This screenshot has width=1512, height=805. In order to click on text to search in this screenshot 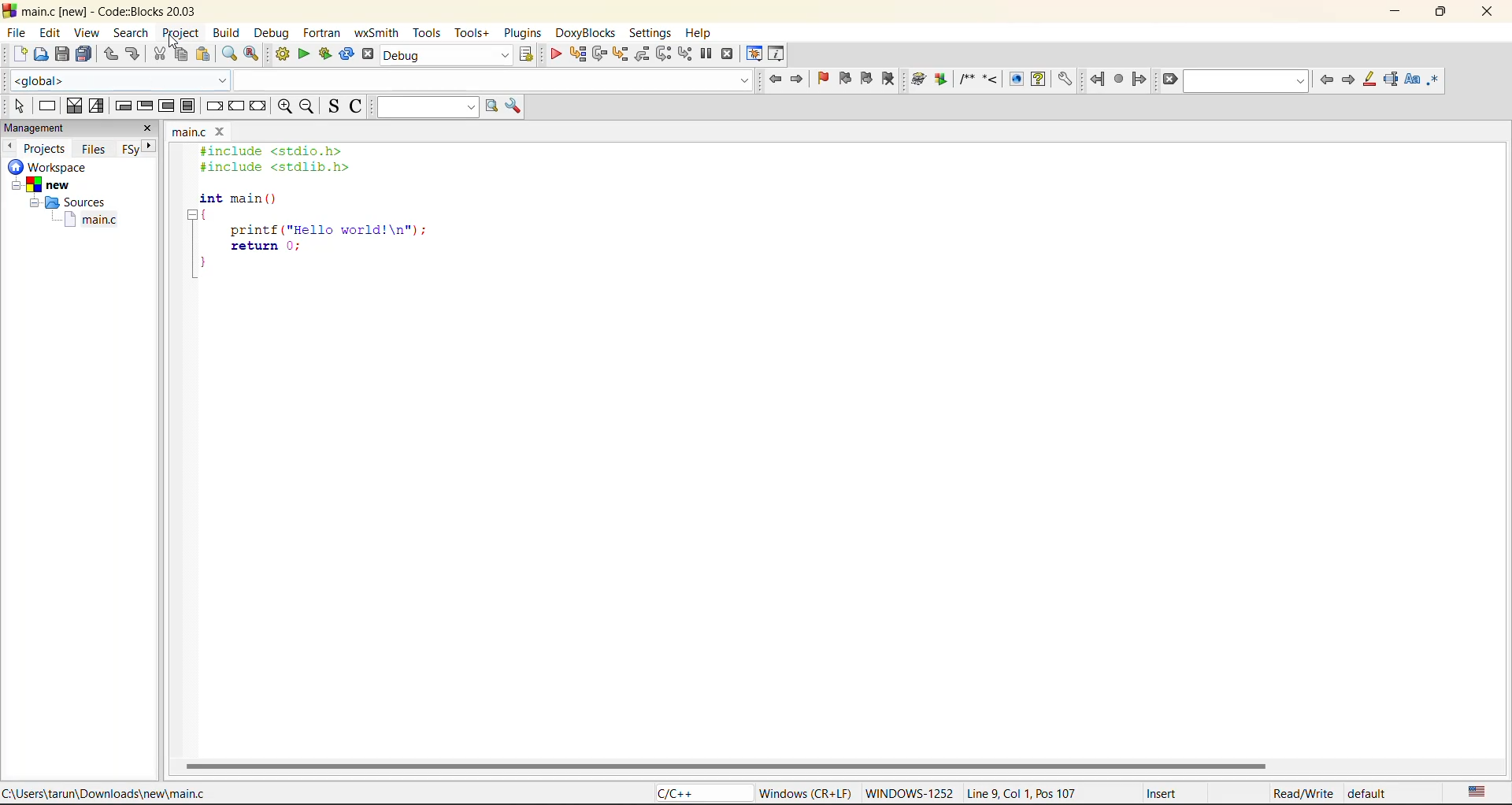, I will do `click(429, 107)`.